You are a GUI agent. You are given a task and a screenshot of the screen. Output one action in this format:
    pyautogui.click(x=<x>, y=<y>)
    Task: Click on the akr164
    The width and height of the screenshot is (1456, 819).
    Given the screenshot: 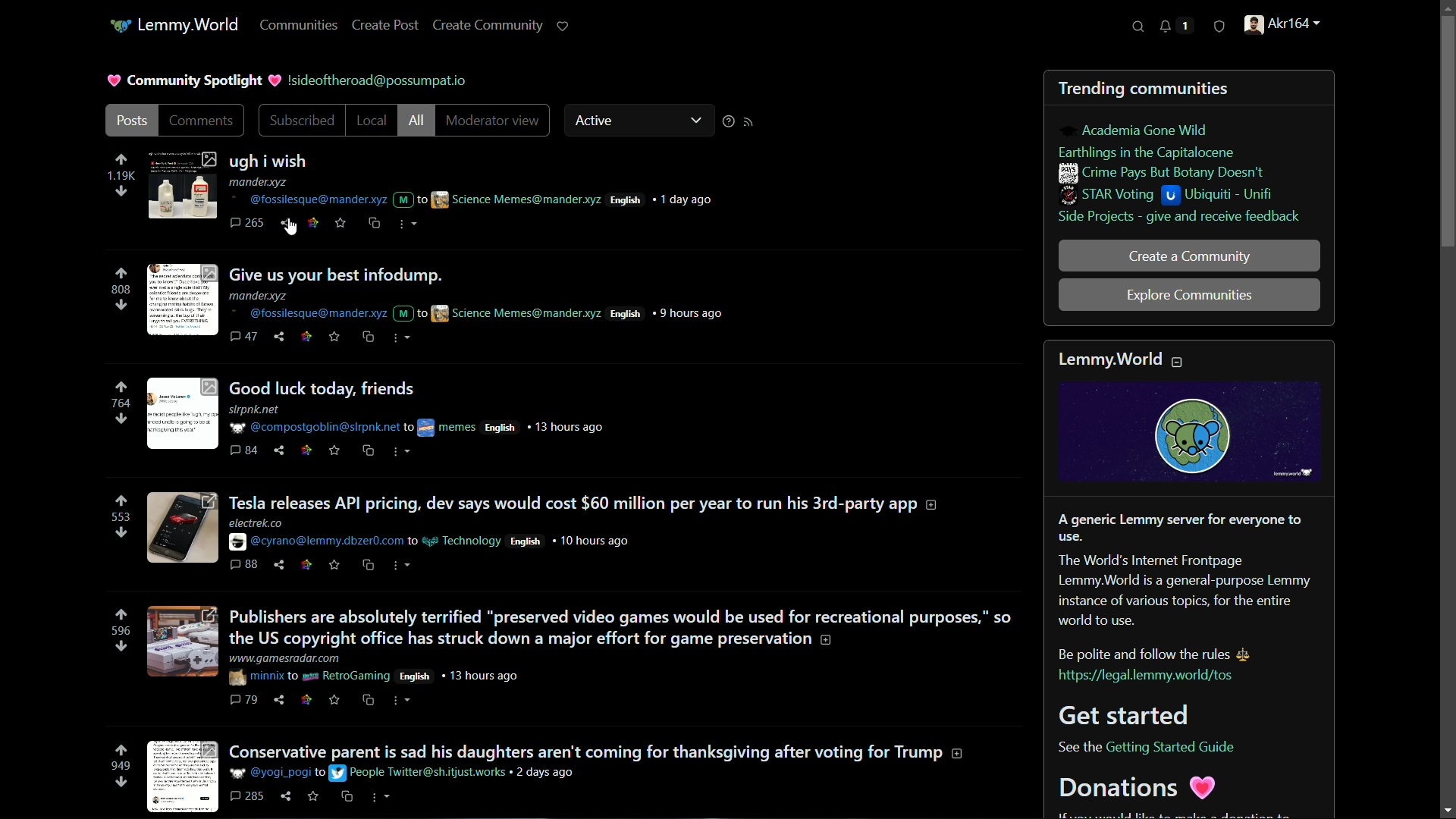 What is the action you would take?
    pyautogui.click(x=1285, y=27)
    